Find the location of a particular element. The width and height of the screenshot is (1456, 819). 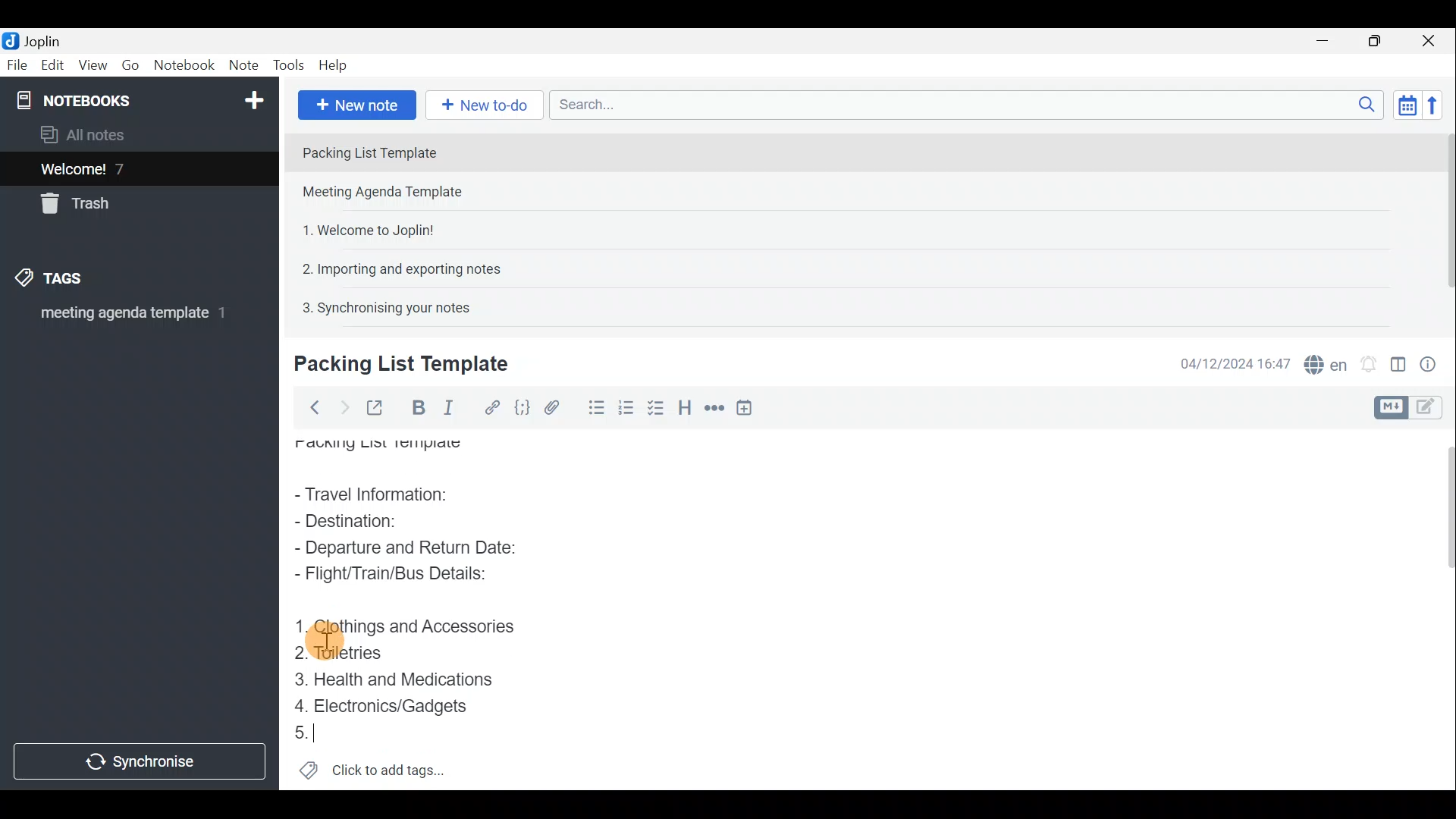

Toggle external editing is located at coordinates (376, 406).